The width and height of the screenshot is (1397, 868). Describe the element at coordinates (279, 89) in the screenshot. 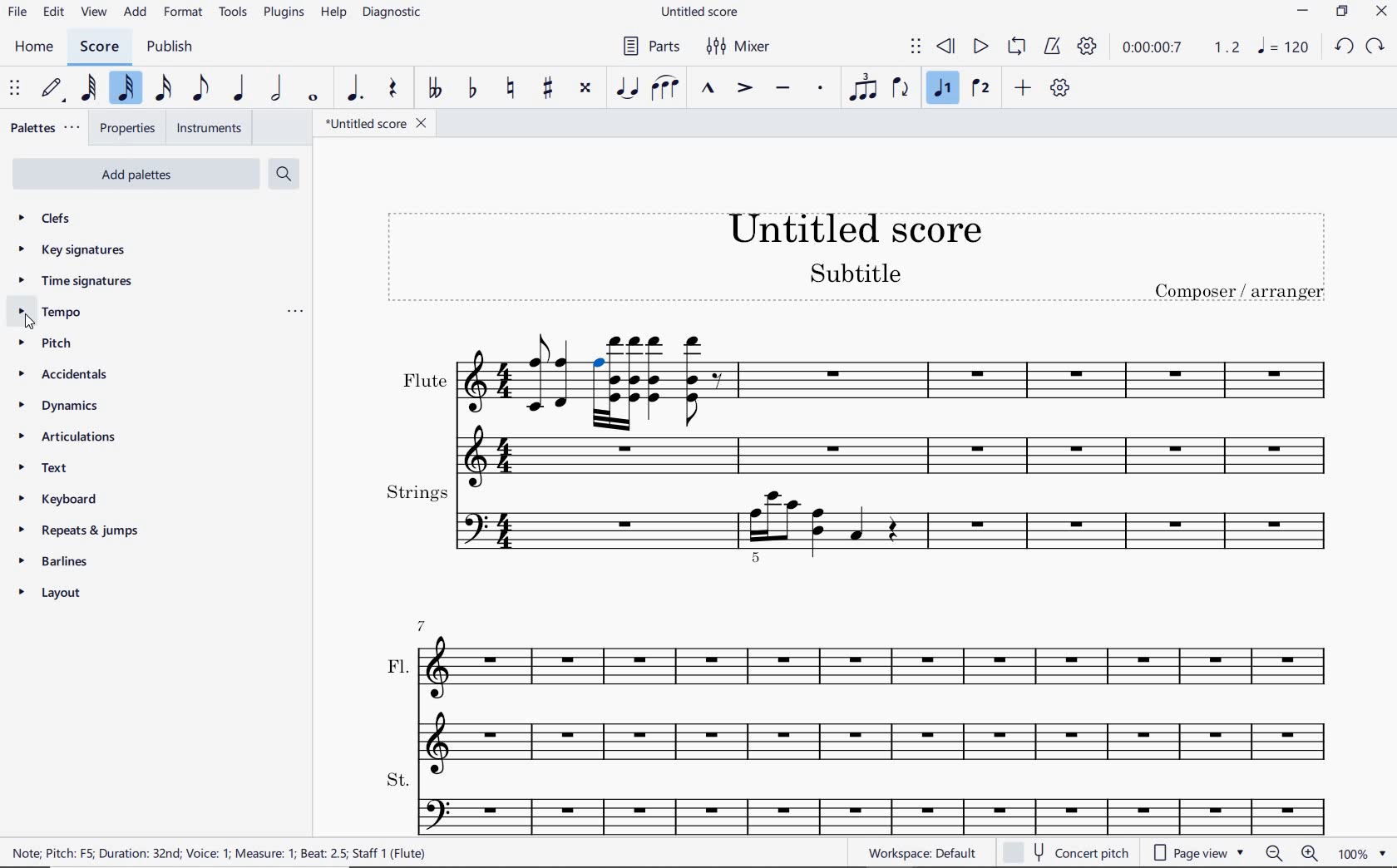

I see `HALF NOTE` at that location.